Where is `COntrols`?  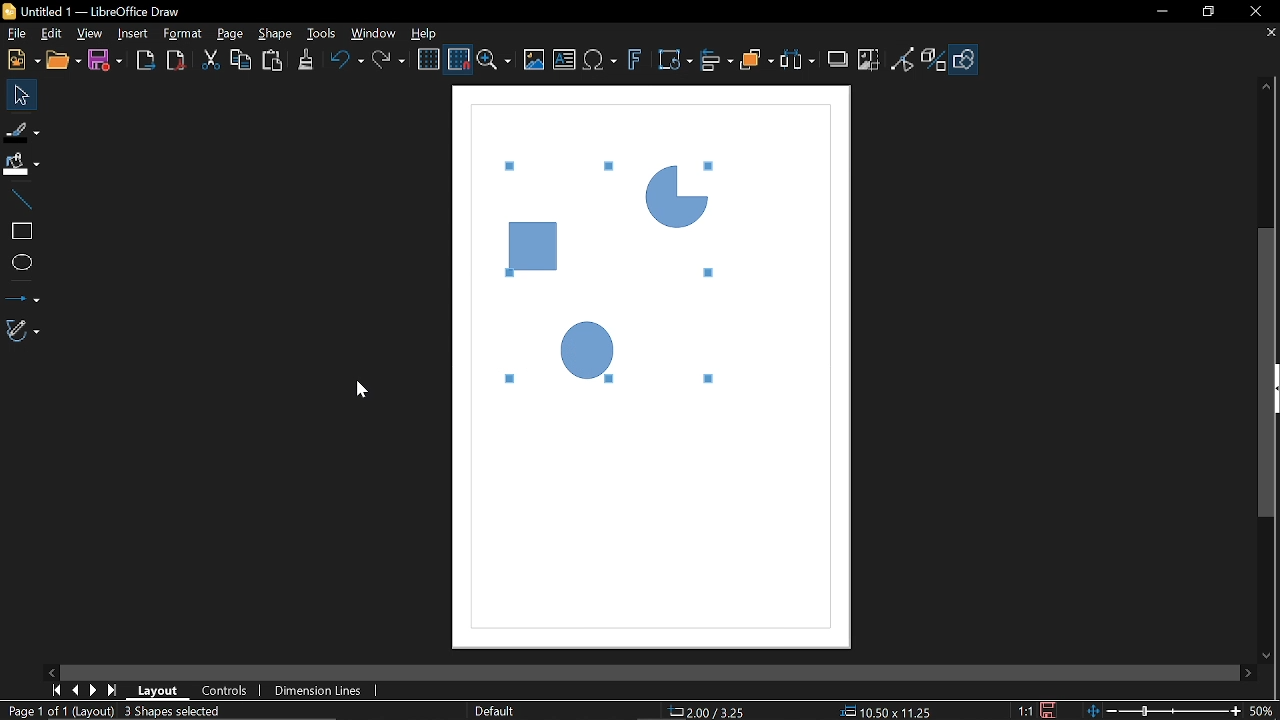
COntrols is located at coordinates (225, 691).